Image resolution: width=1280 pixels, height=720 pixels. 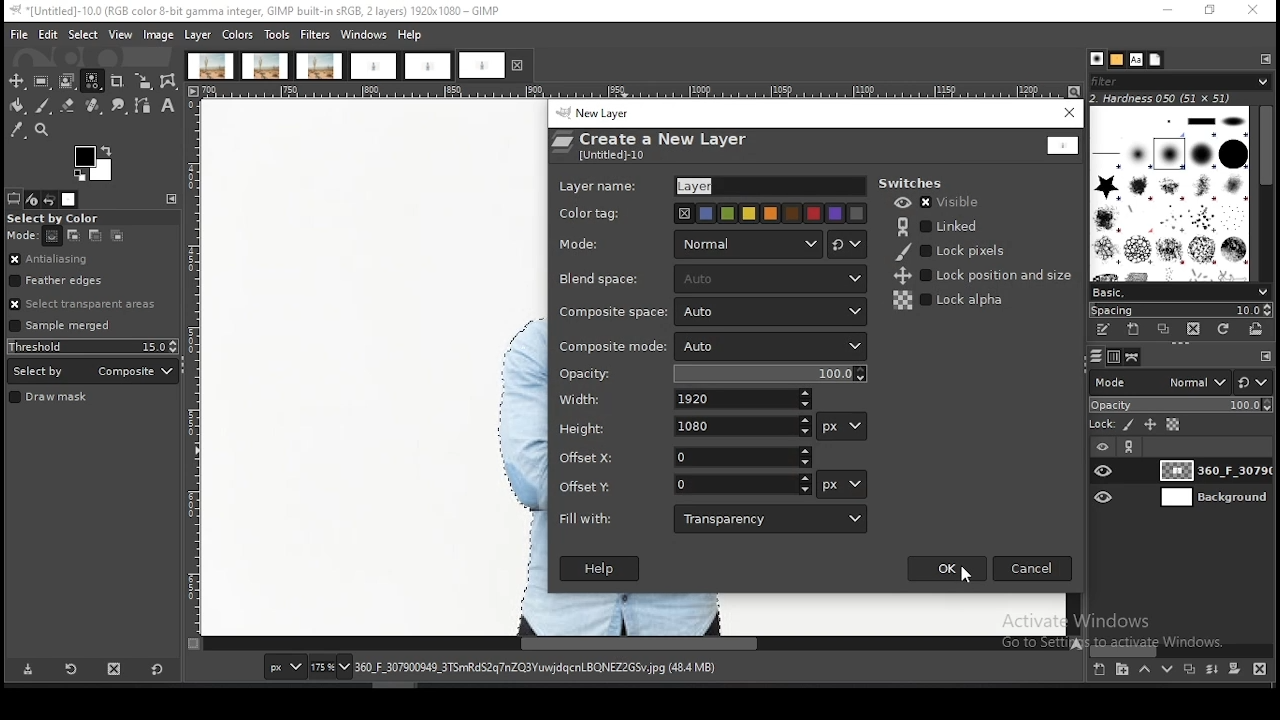 What do you see at coordinates (602, 115) in the screenshot?
I see `new layer` at bounding box center [602, 115].